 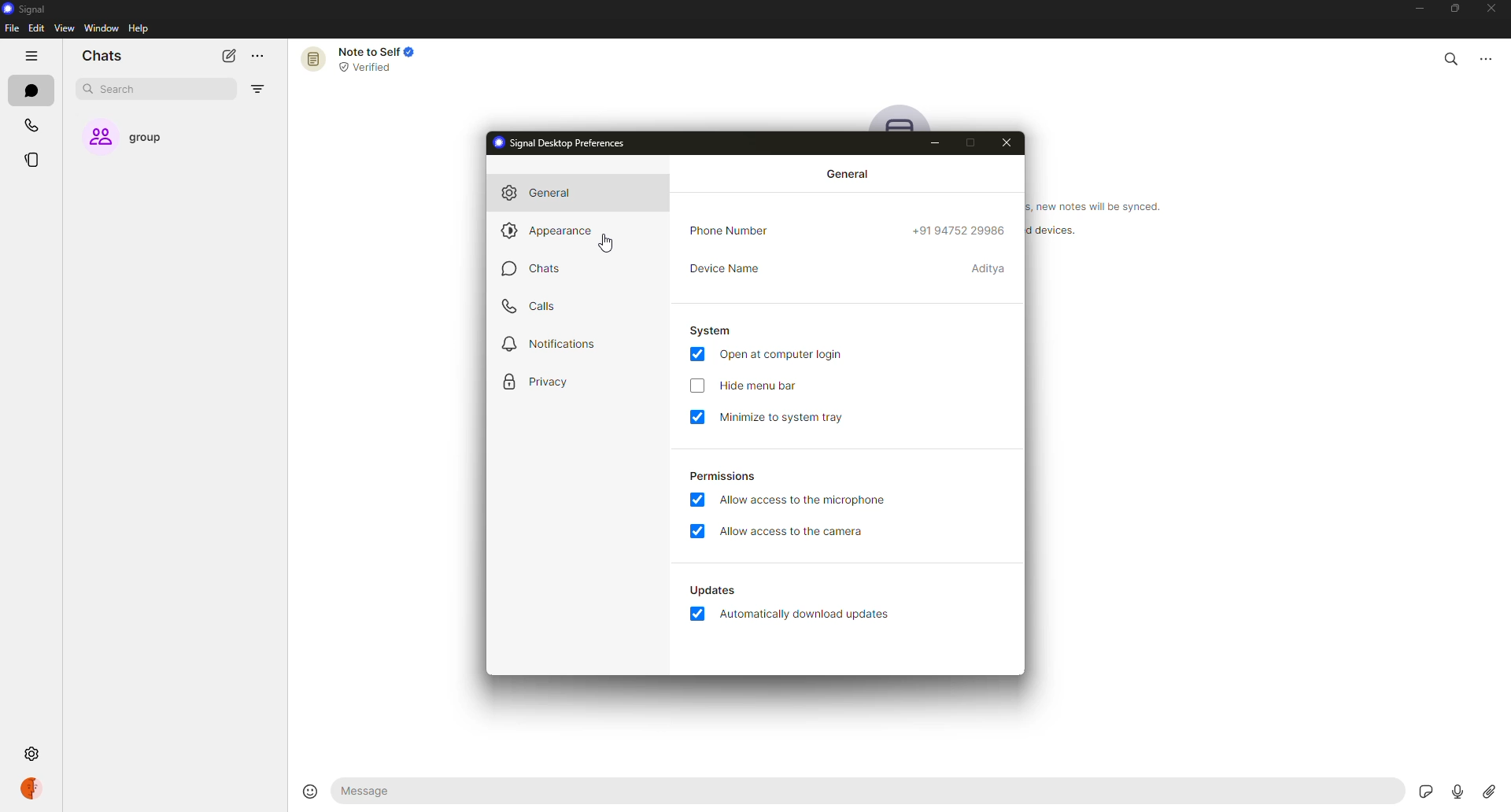 What do you see at coordinates (257, 90) in the screenshot?
I see `filter` at bounding box center [257, 90].